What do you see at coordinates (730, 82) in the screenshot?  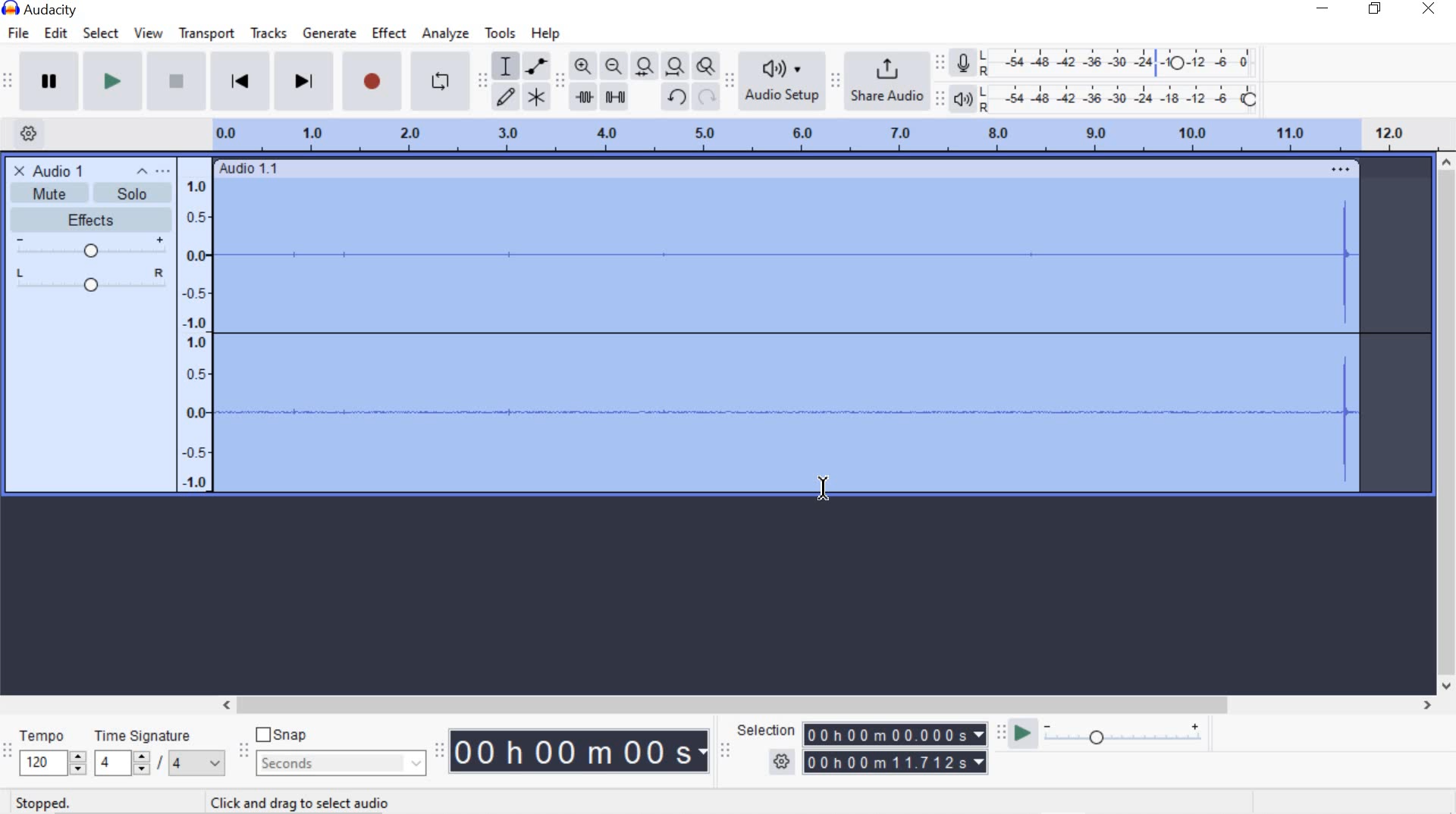 I see `Audio setup toolbar` at bounding box center [730, 82].